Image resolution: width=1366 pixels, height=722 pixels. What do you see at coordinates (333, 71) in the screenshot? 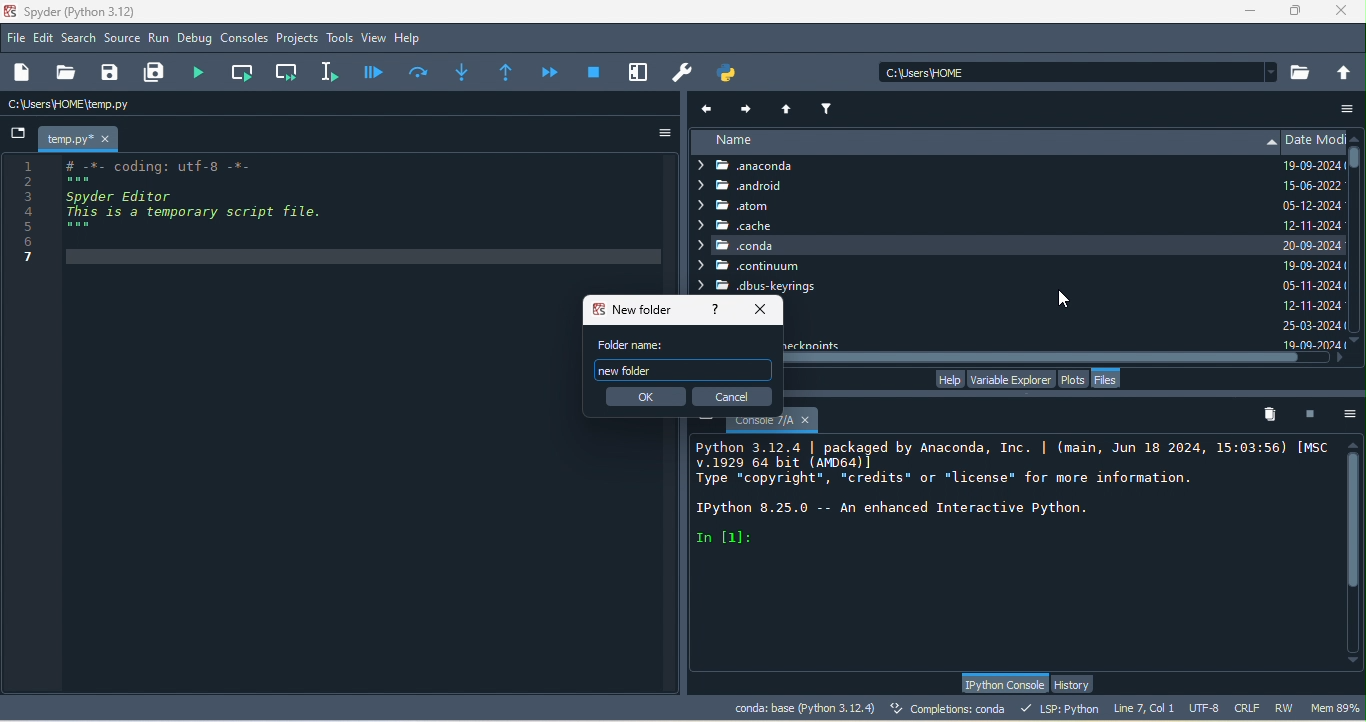
I see `current line` at bounding box center [333, 71].